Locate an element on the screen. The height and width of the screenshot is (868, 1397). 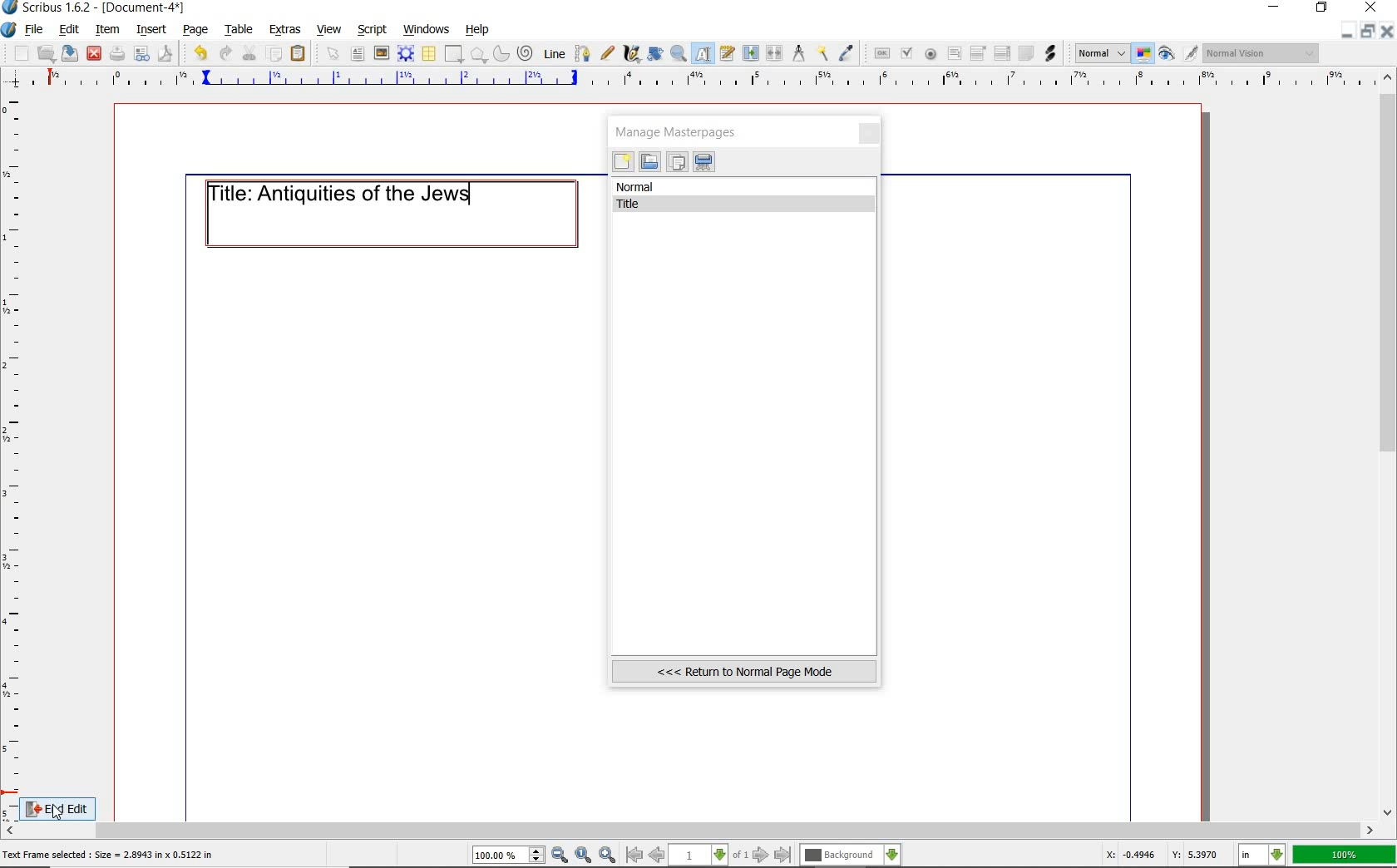
arc is located at coordinates (500, 53).